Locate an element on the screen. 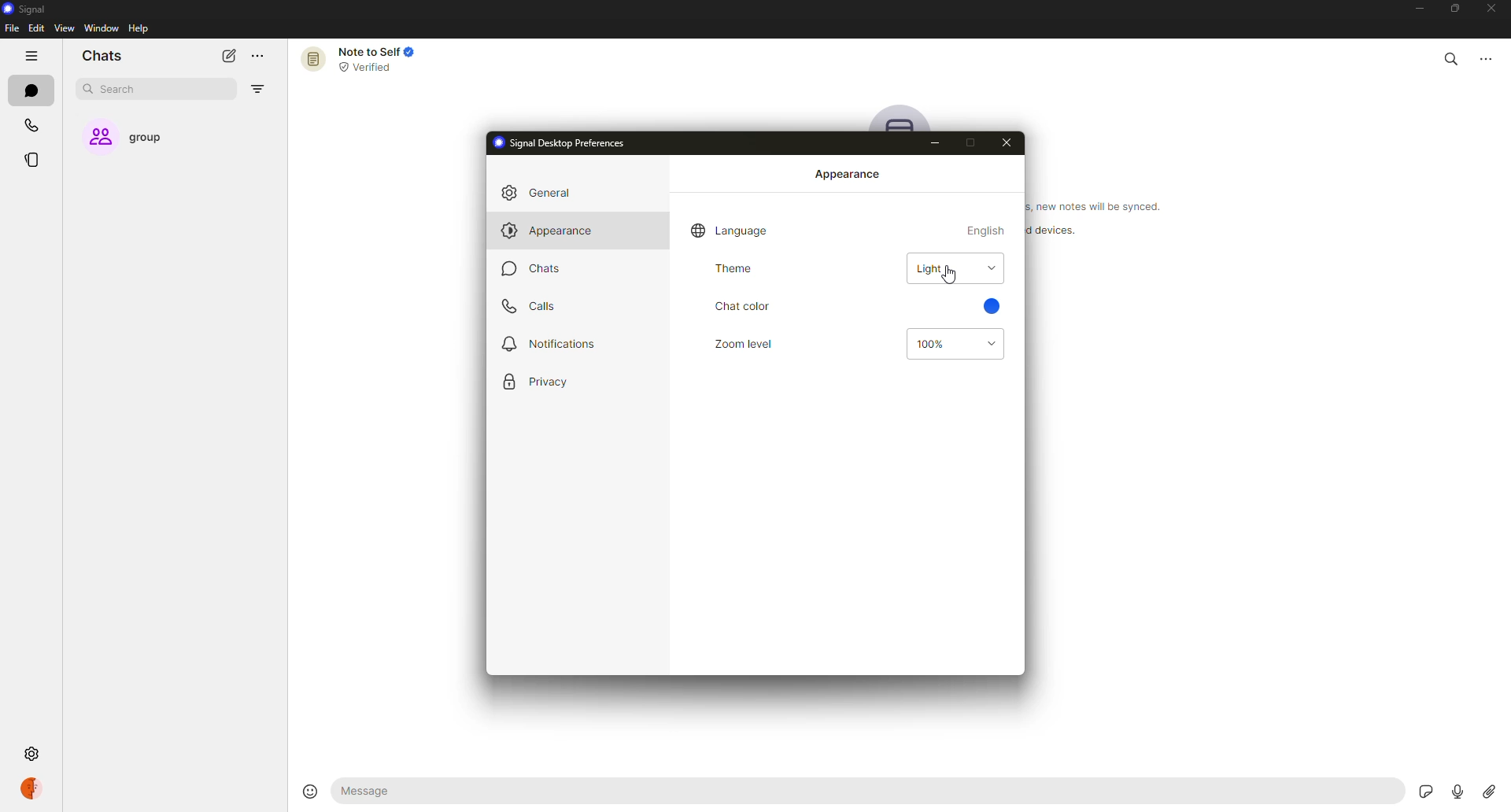 This screenshot has height=812, width=1511. chat color is located at coordinates (741, 306).